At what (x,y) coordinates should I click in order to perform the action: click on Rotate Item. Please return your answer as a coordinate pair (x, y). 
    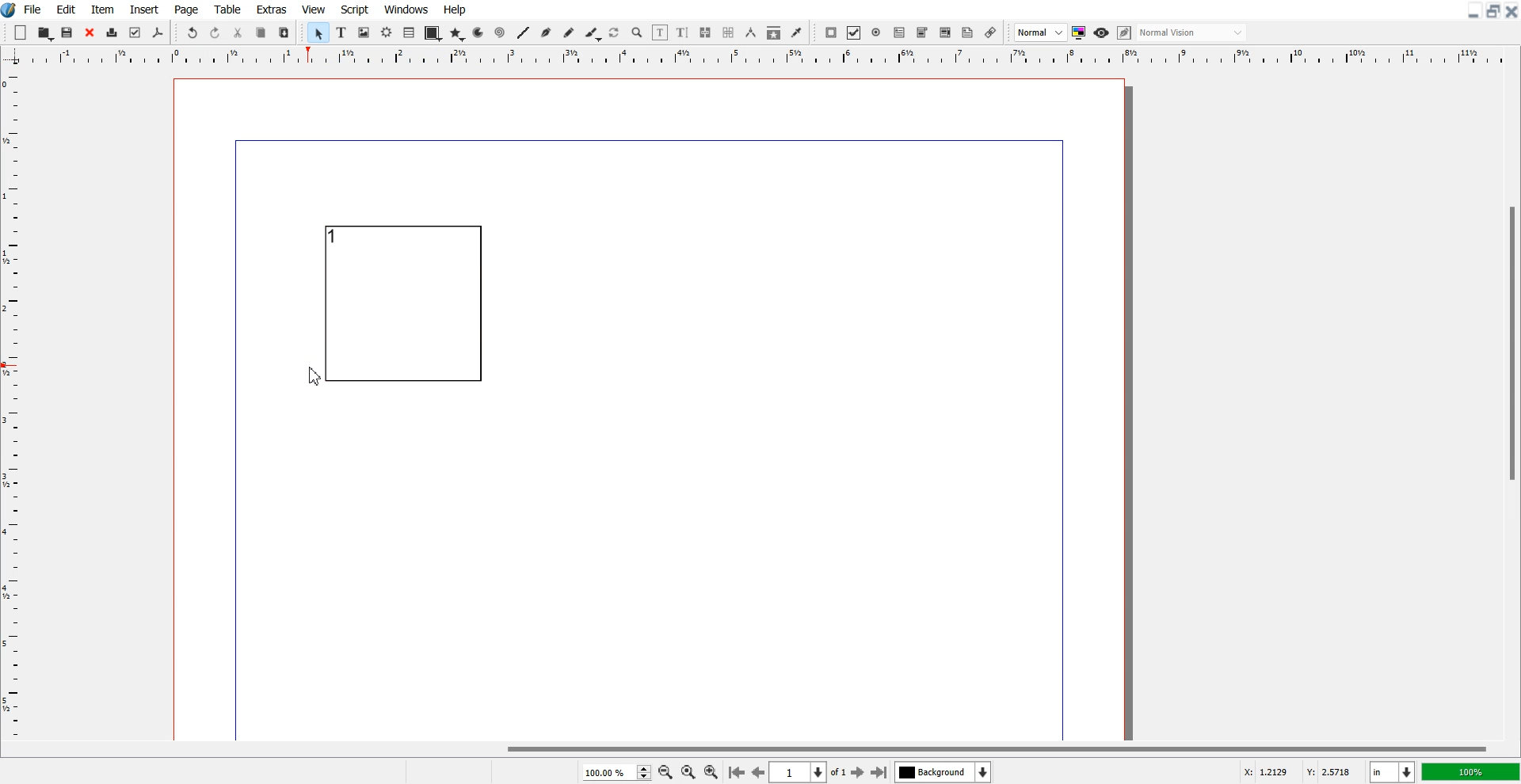
    Looking at the image, I should click on (616, 33).